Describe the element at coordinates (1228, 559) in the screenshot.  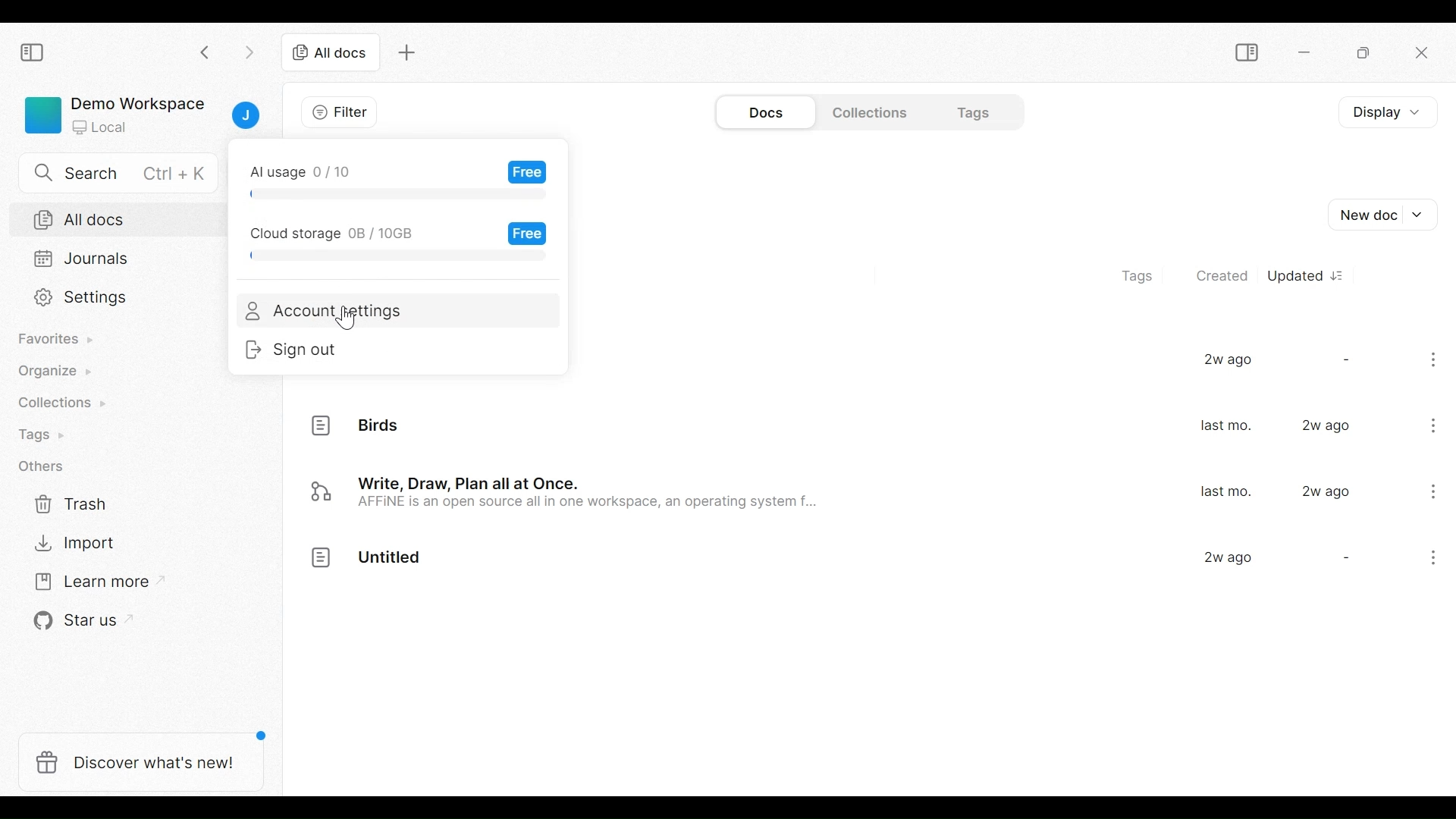
I see `2w ago` at that location.